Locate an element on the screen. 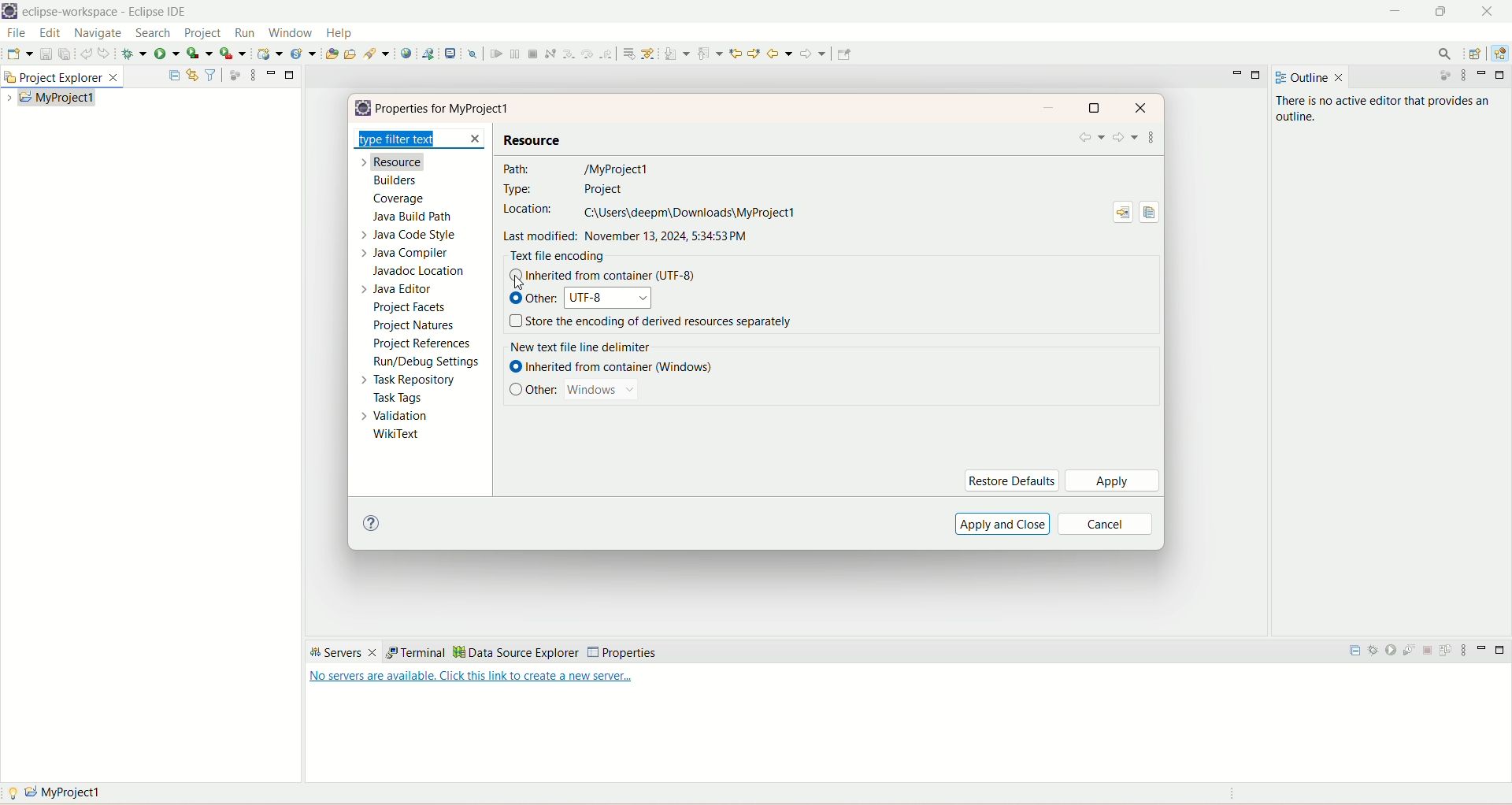 The width and height of the screenshot is (1512, 805). minimize is located at coordinates (1481, 72).